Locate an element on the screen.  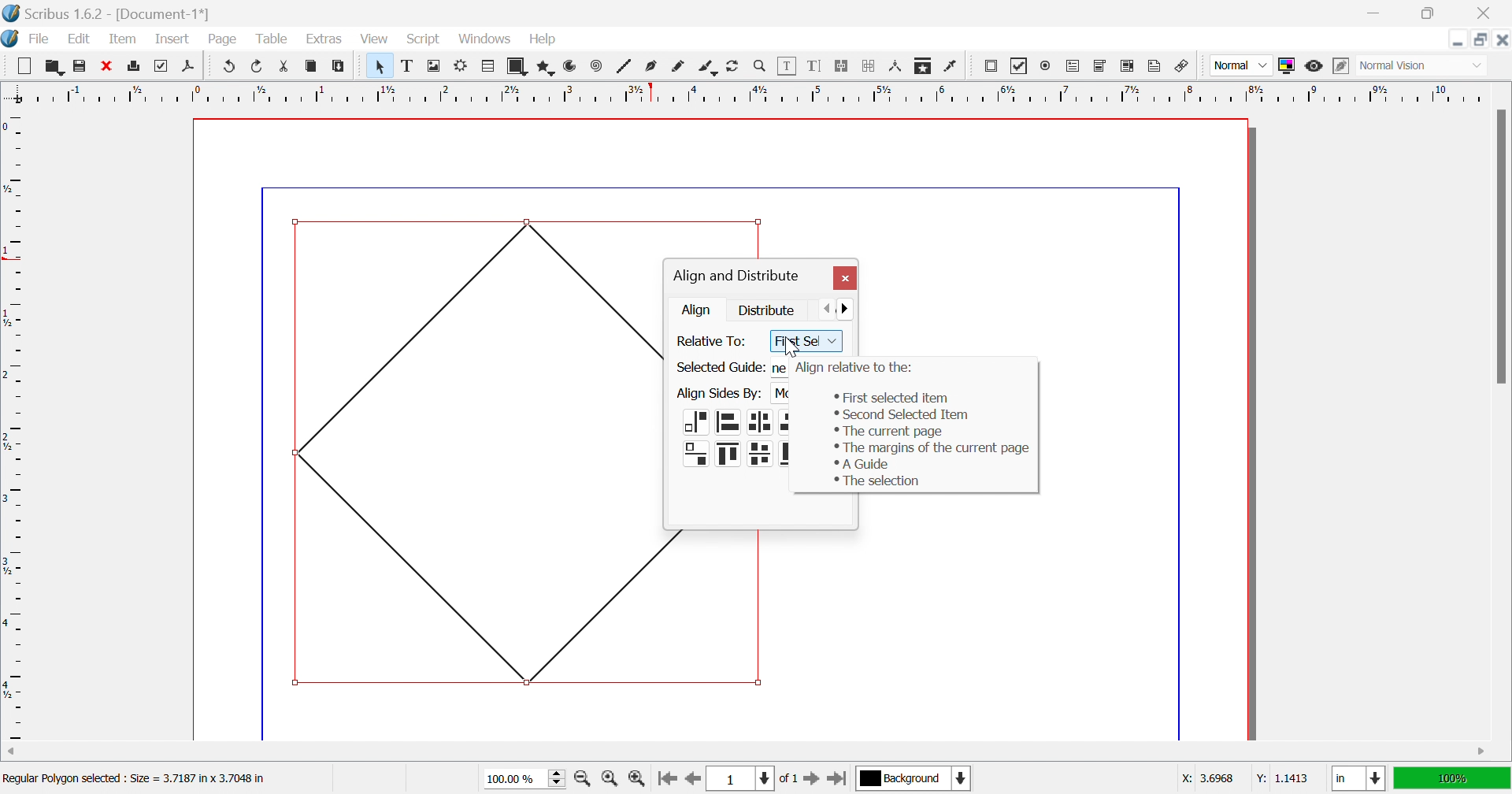
Save as PDF is located at coordinates (192, 67).